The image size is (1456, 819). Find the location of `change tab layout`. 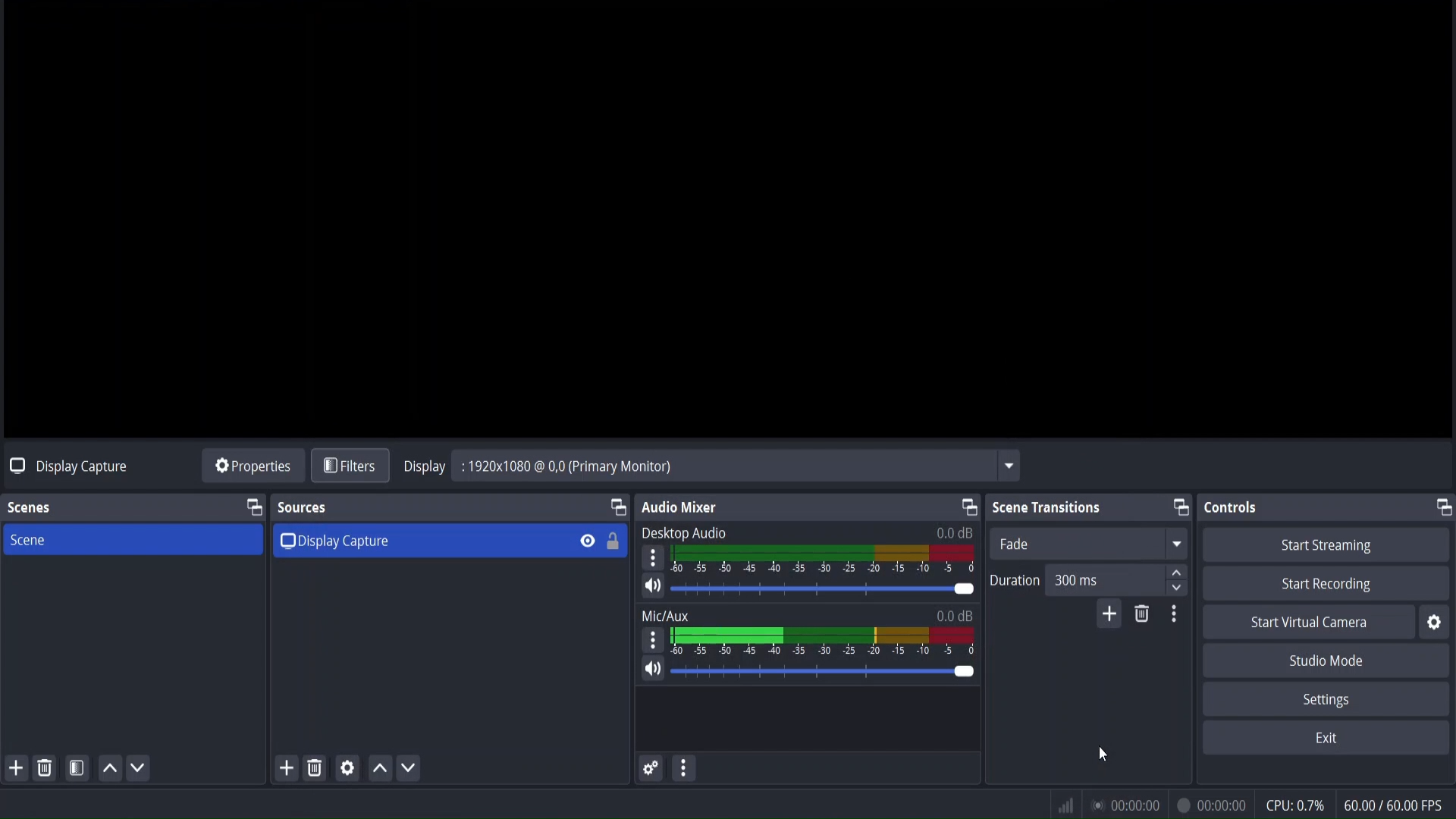

change tab layout is located at coordinates (253, 508).